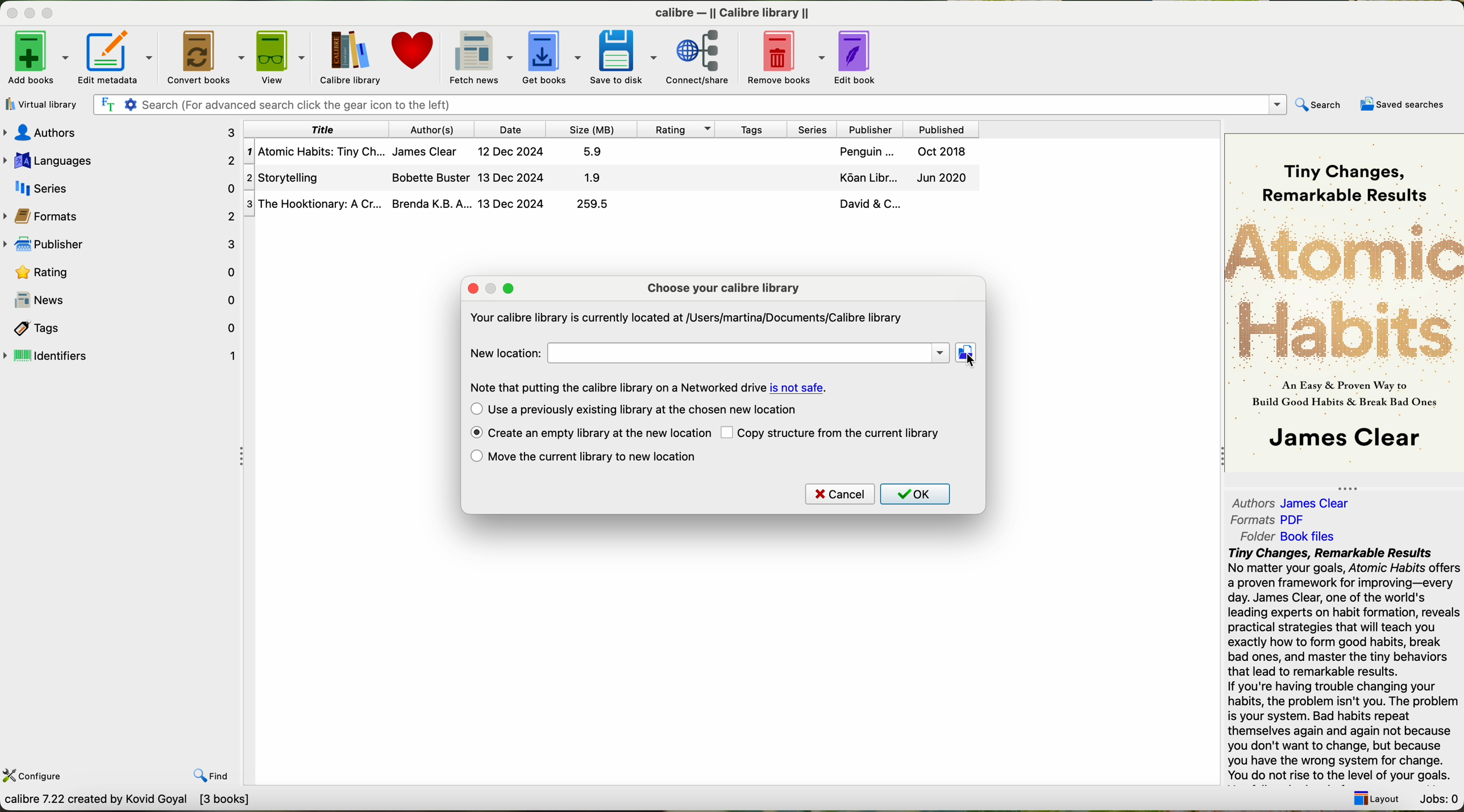 The image size is (1464, 812). Describe the element at coordinates (611, 205) in the screenshot. I see `Third Book The Hooktionary` at that location.